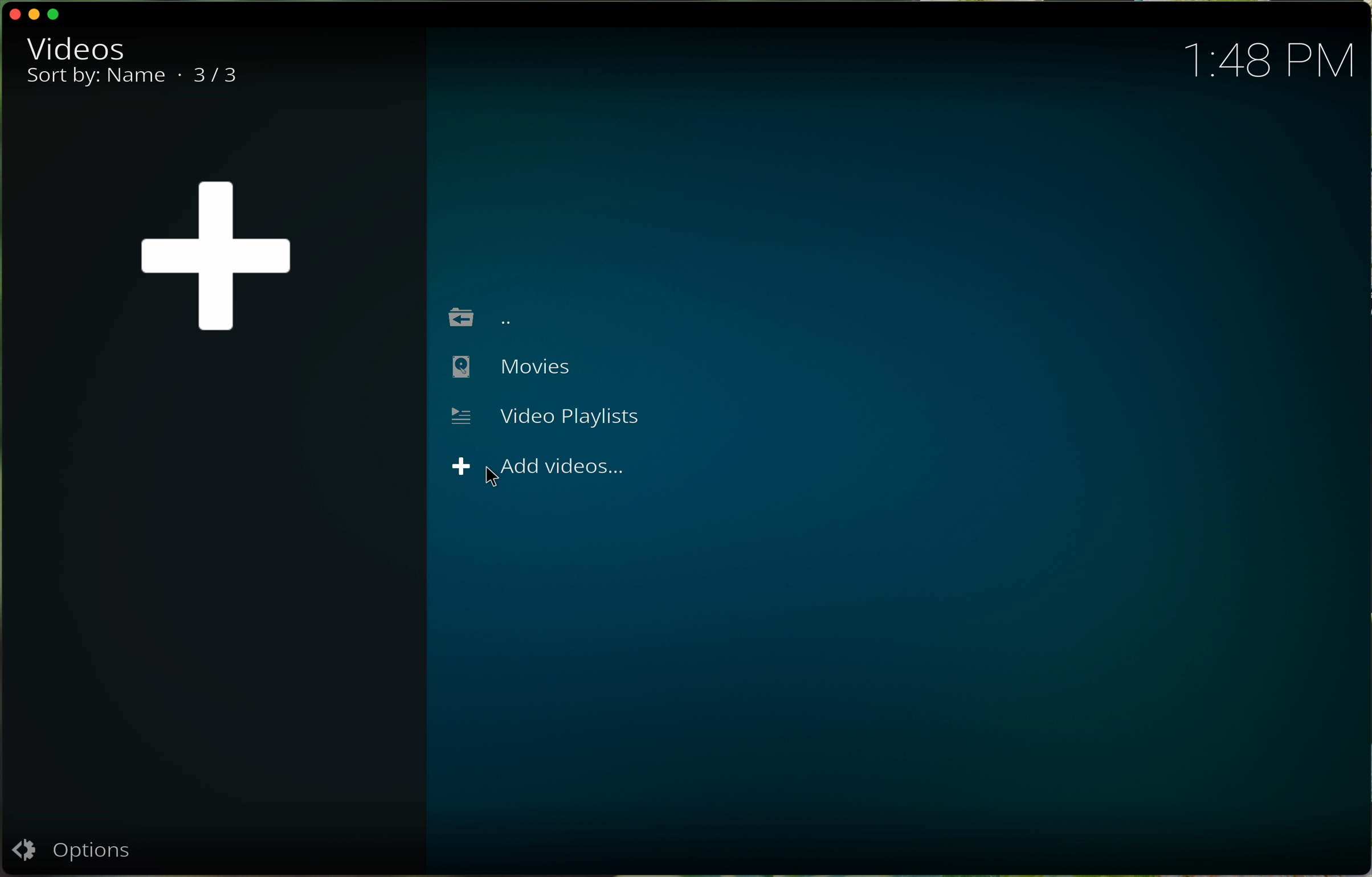  Describe the element at coordinates (496, 481) in the screenshot. I see `cursor` at that location.